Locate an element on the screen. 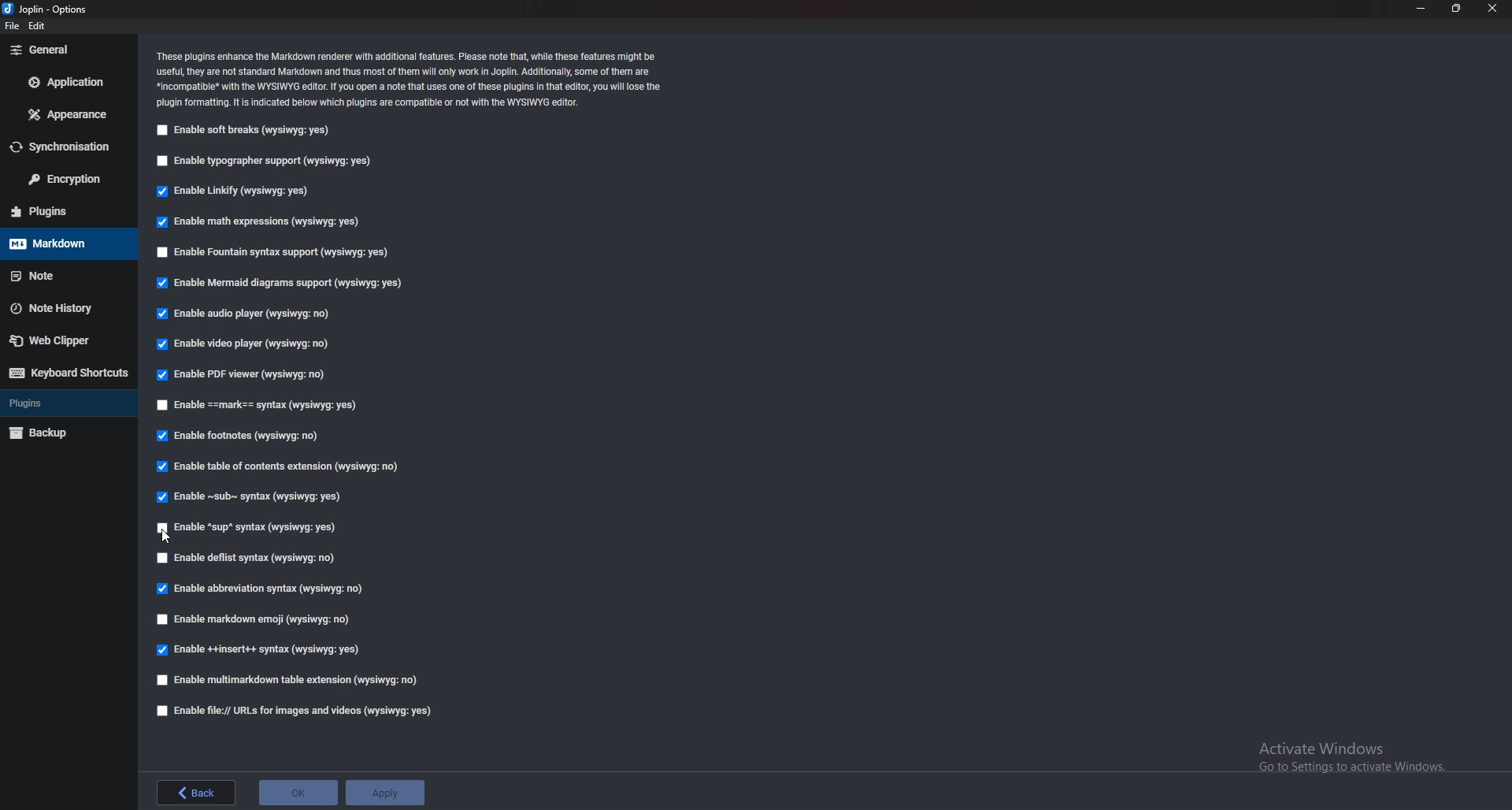 Image resolution: width=1512 pixels, height=810 pixels. Enable footnotes is located at coordinates (243, 437).